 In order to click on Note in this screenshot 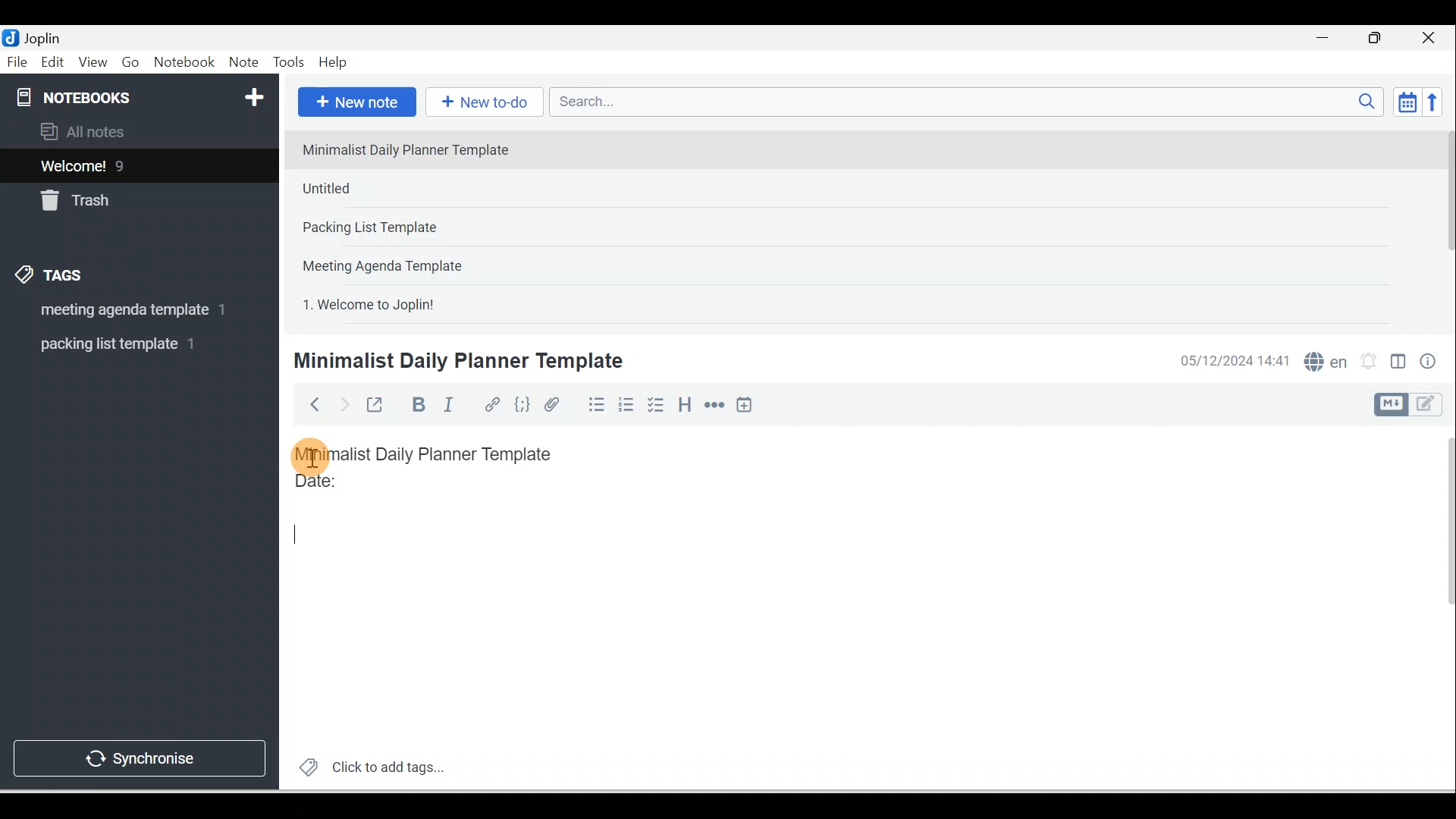, I will do `click(242, 63)`.